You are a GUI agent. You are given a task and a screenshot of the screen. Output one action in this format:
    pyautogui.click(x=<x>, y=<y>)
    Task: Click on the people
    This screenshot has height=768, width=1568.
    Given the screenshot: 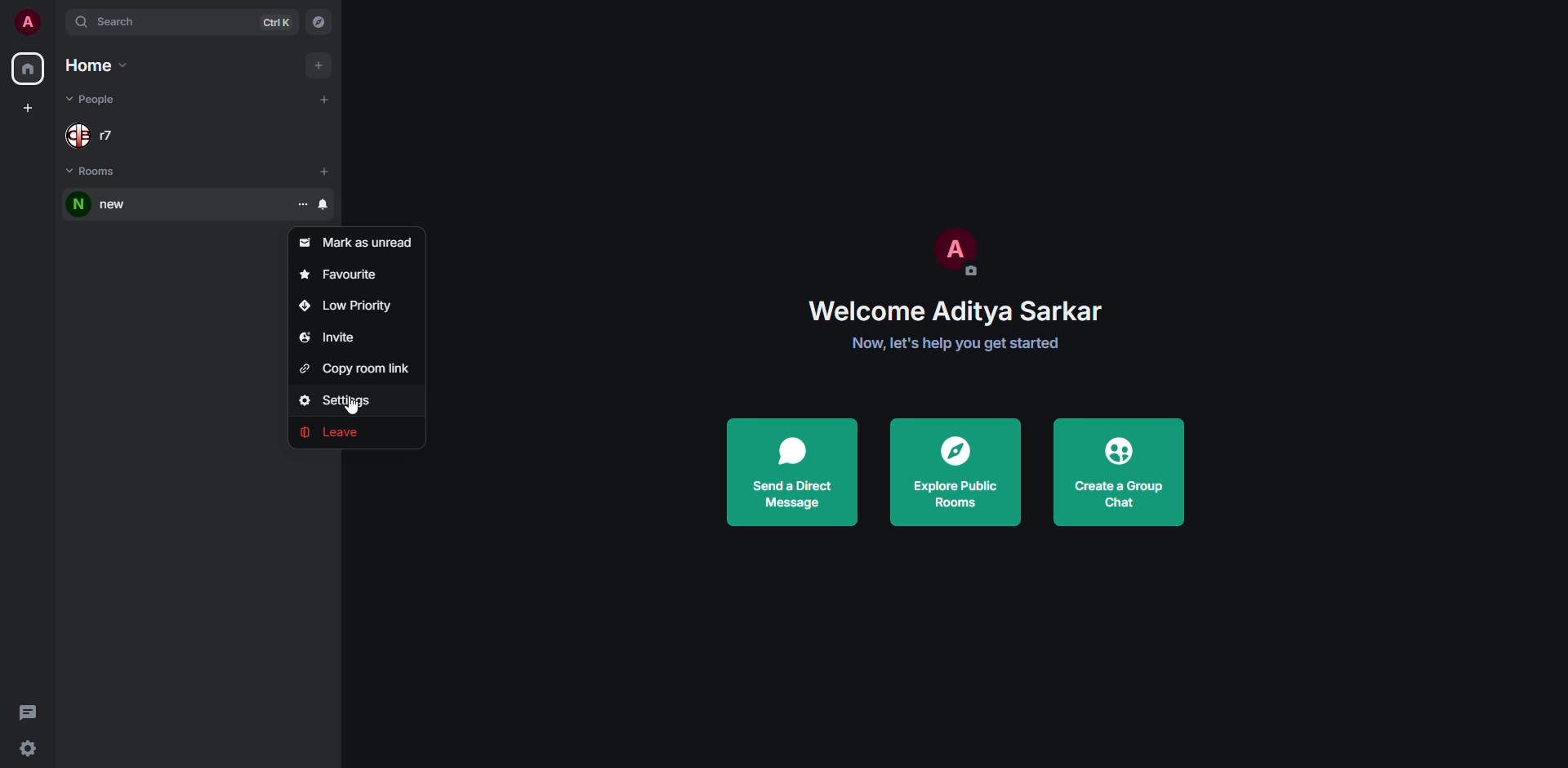 What is the action you would take?
    pyautogui.click(x=95, y=132)
    